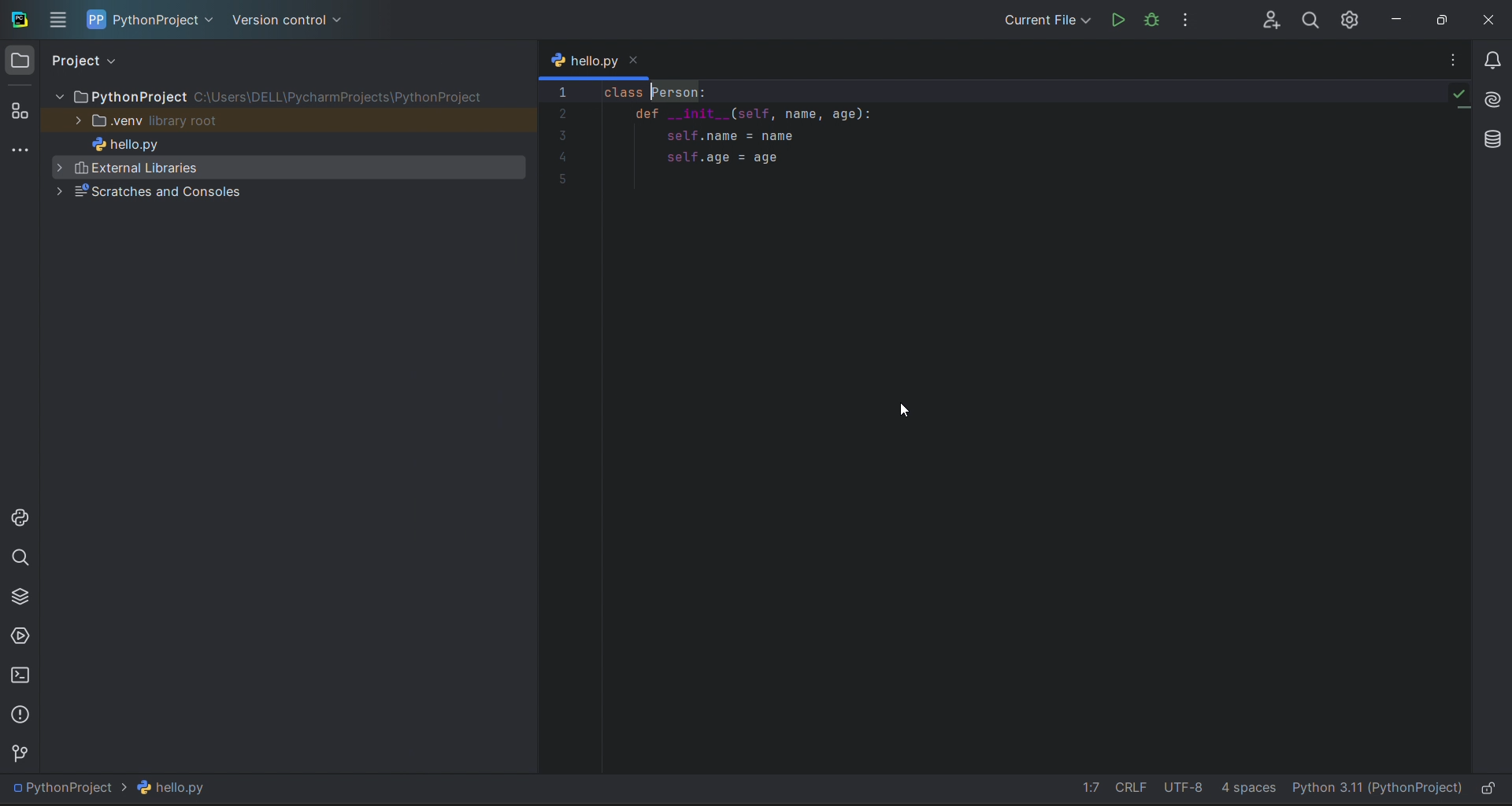 The height and width of the screenshot is (806, 1512). What do you see at coordinates (1487, 16) in the screenshot?
I see `close` at bounding box center [1487, 16].